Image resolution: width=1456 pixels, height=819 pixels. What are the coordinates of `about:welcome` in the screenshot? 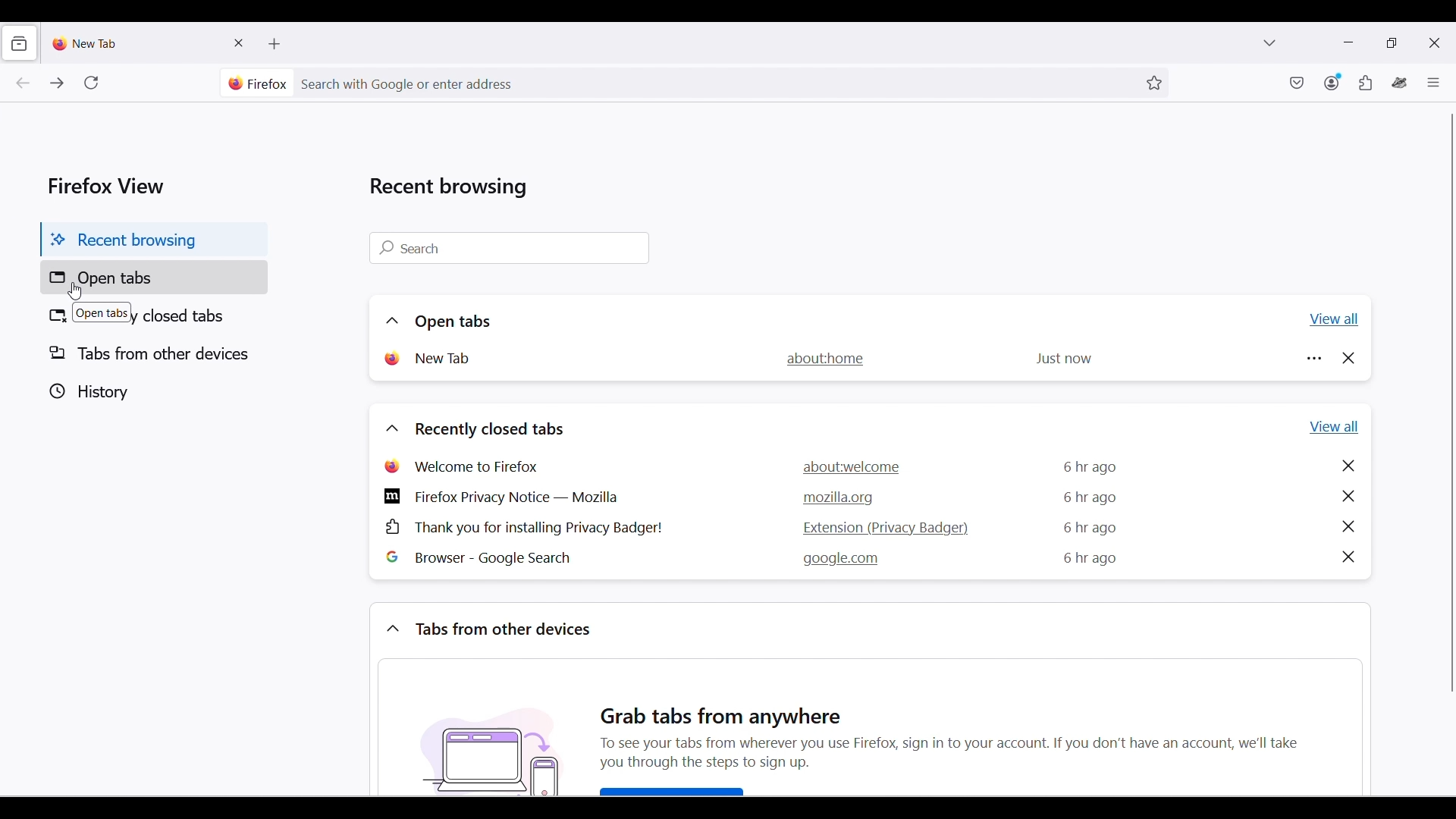 It's located at (854, 466).